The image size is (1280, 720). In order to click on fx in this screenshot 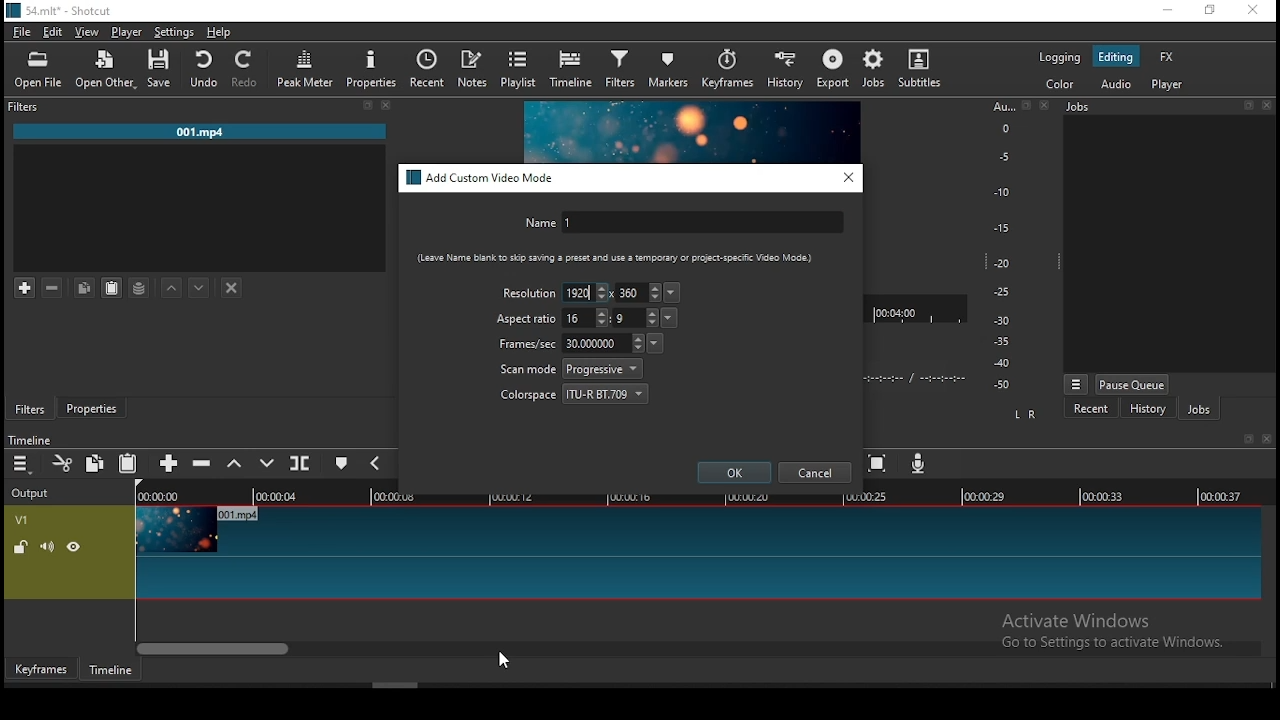, I will do `click(1169, 58)`.